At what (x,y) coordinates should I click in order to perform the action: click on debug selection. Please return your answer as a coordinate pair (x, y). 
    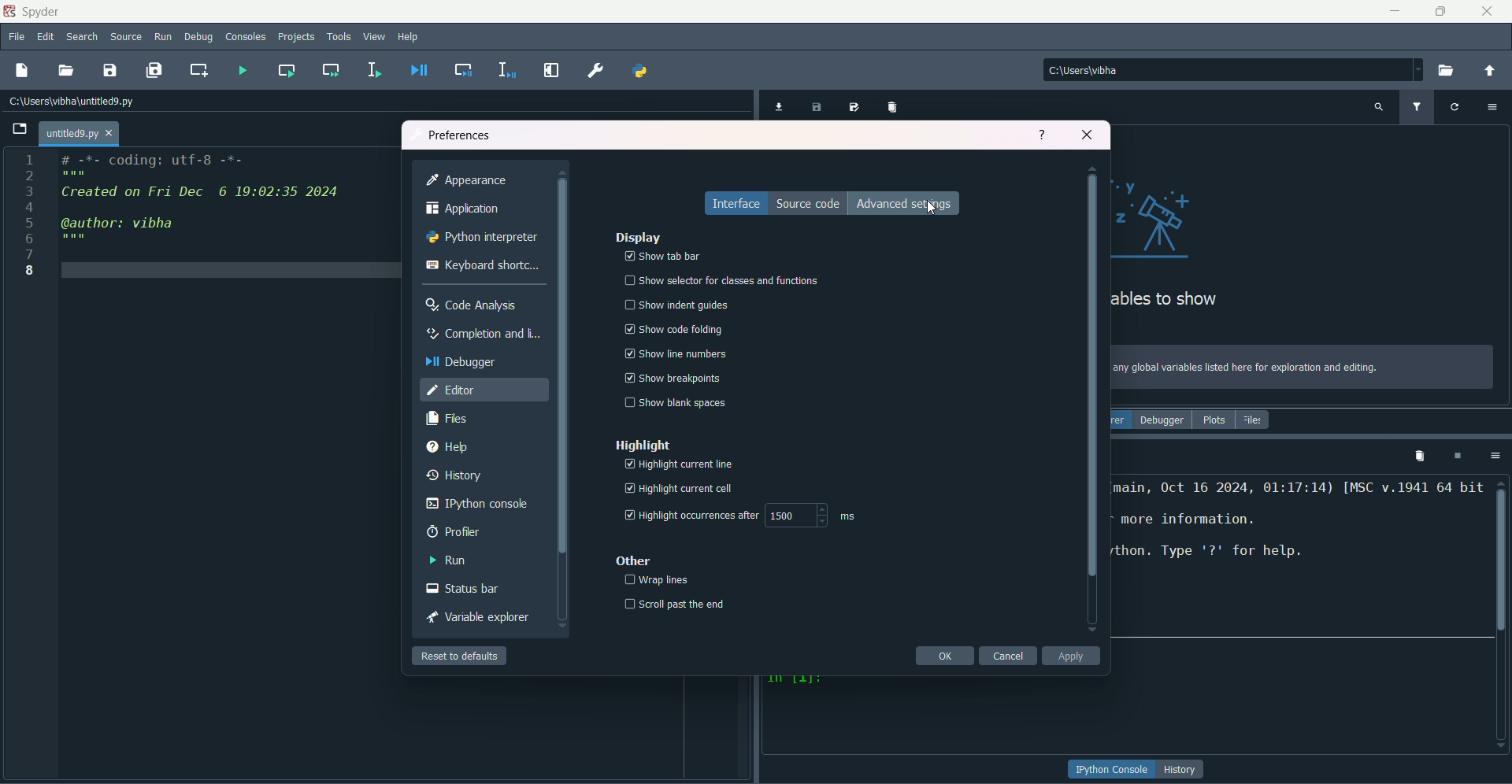
    Looking at the image, I should click on (504, 70).